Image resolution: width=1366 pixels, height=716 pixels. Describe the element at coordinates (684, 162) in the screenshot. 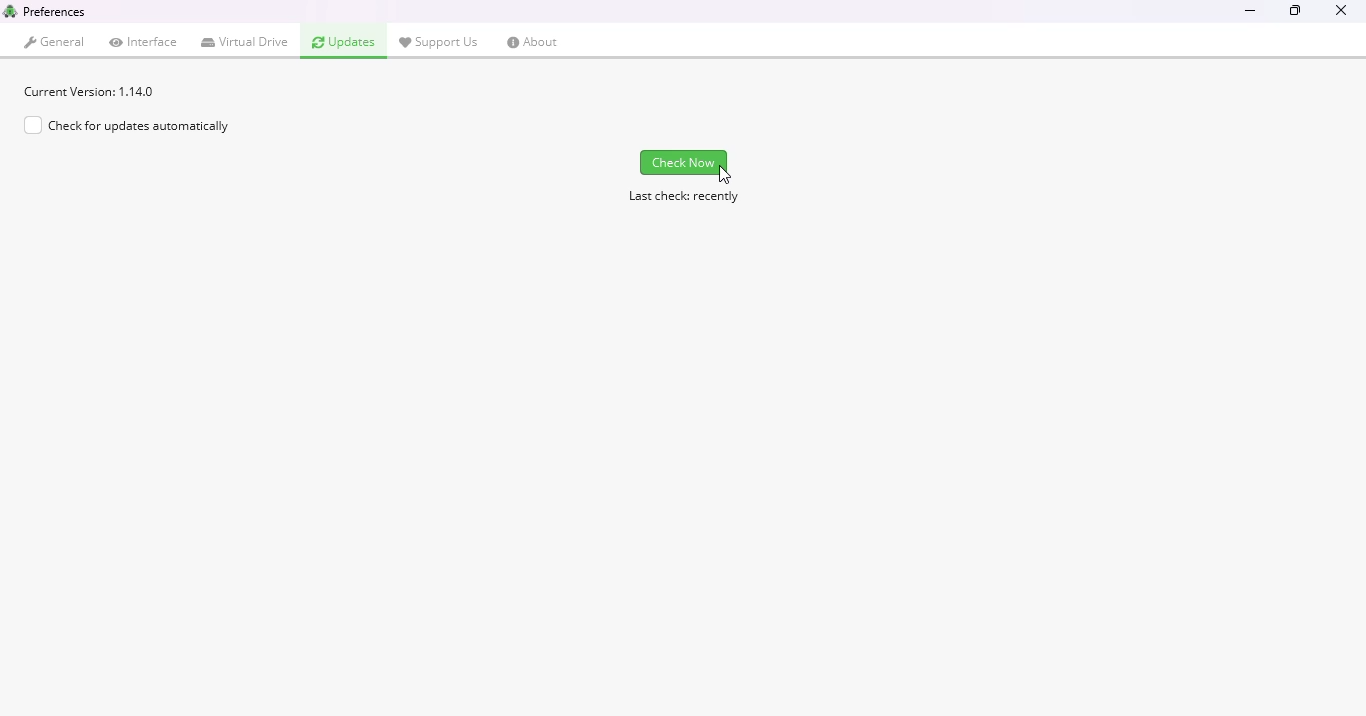

I see `check now` at that location.